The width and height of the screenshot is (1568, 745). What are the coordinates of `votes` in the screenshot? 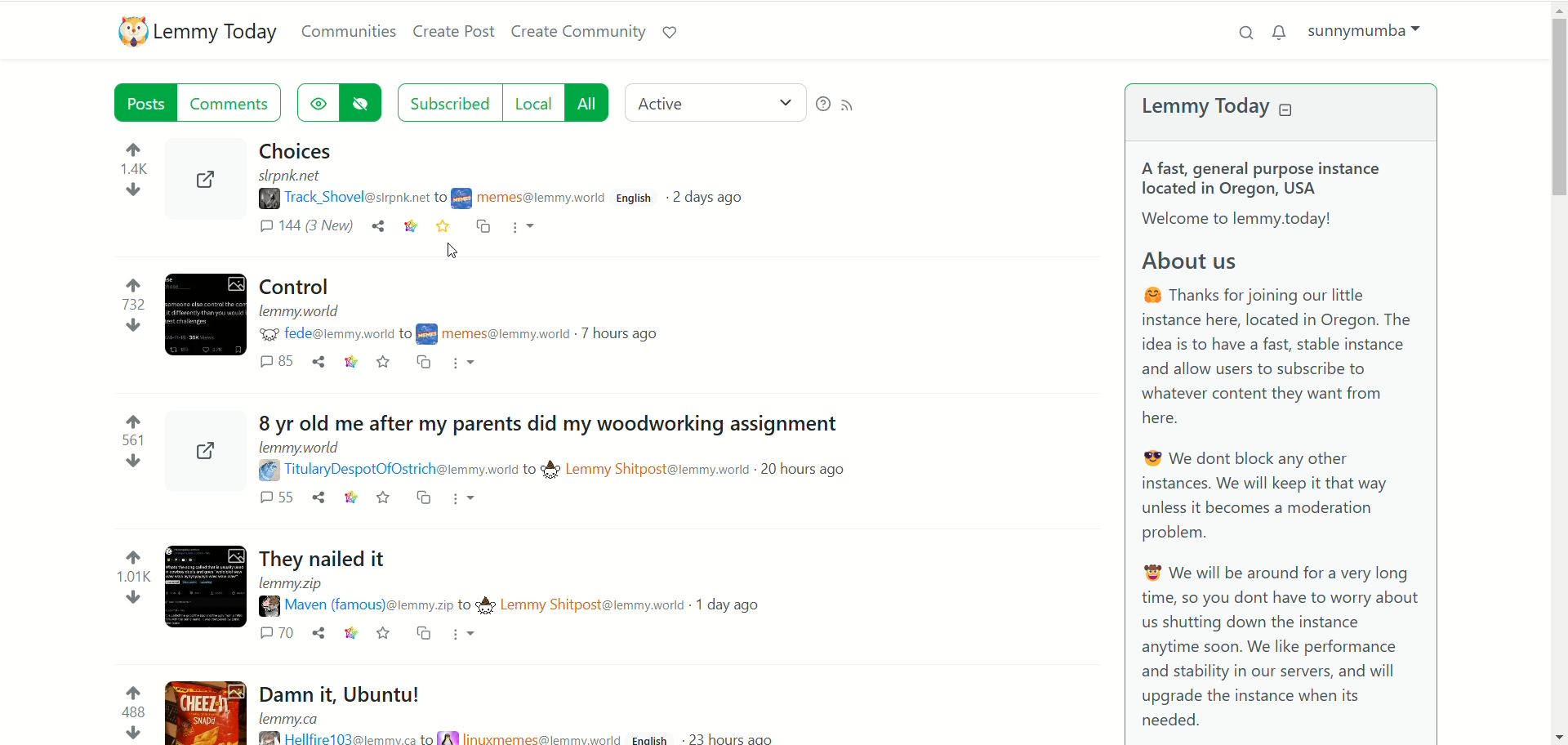 It's located at (123, 442).